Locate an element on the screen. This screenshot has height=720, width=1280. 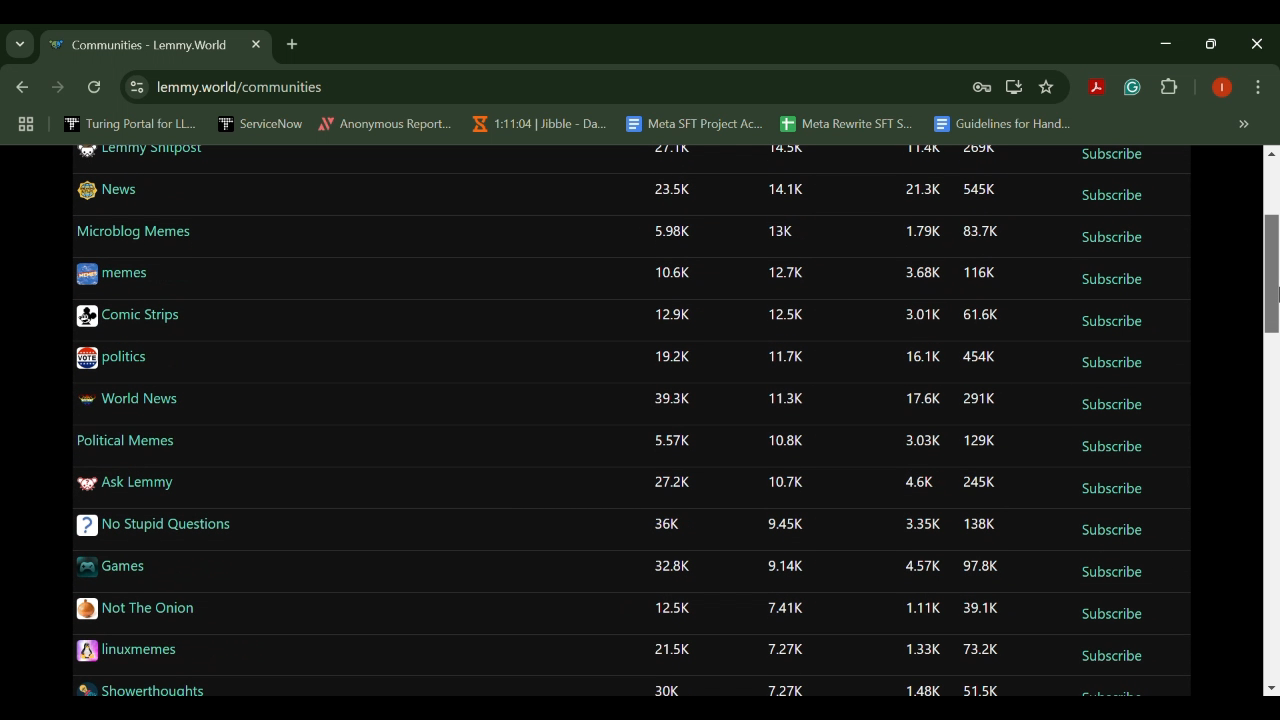
Close Tab is located at coordinates (254, 44).